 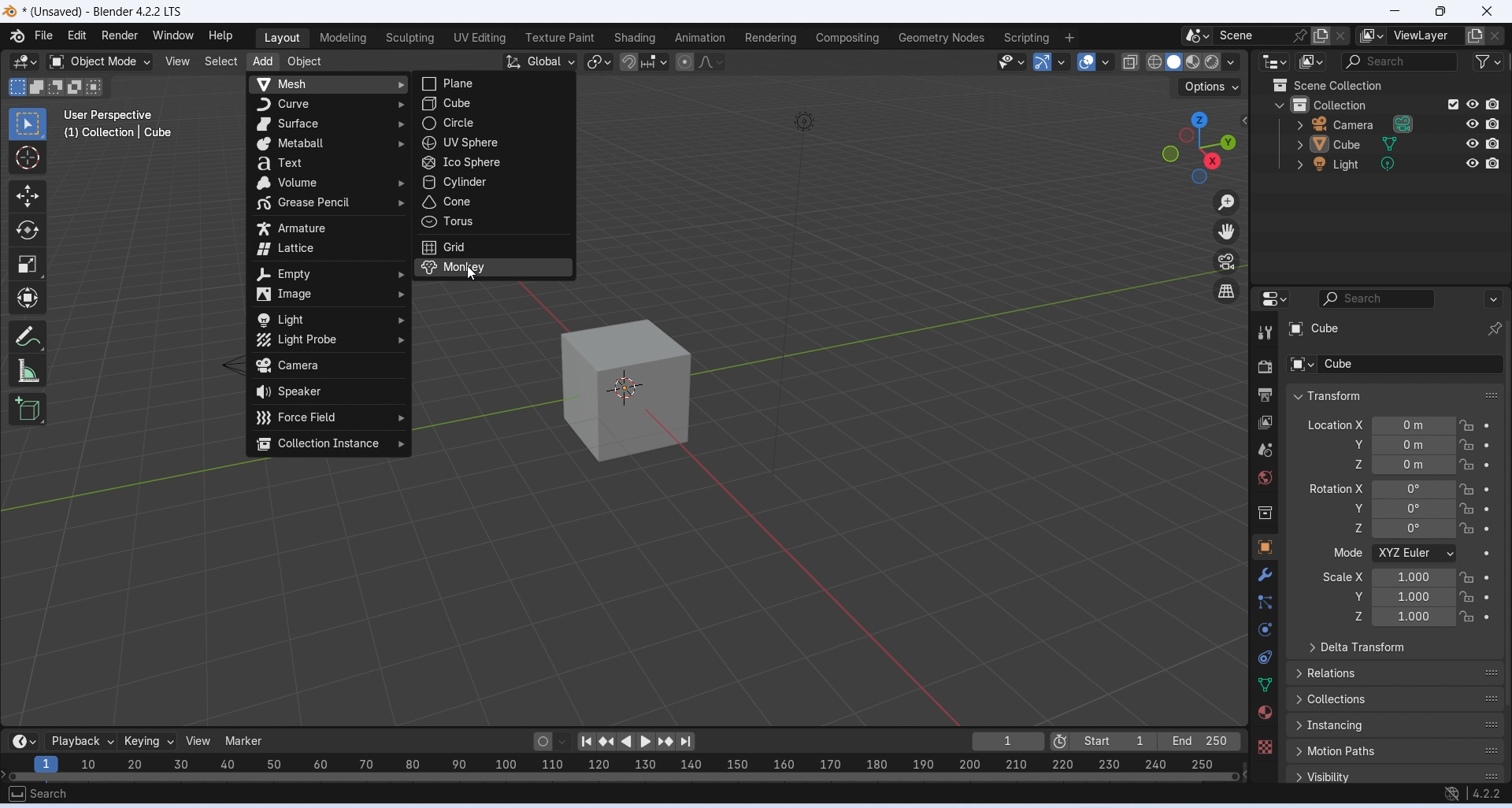 I want to click on jump to endpoint, so click(x=685, y=742).